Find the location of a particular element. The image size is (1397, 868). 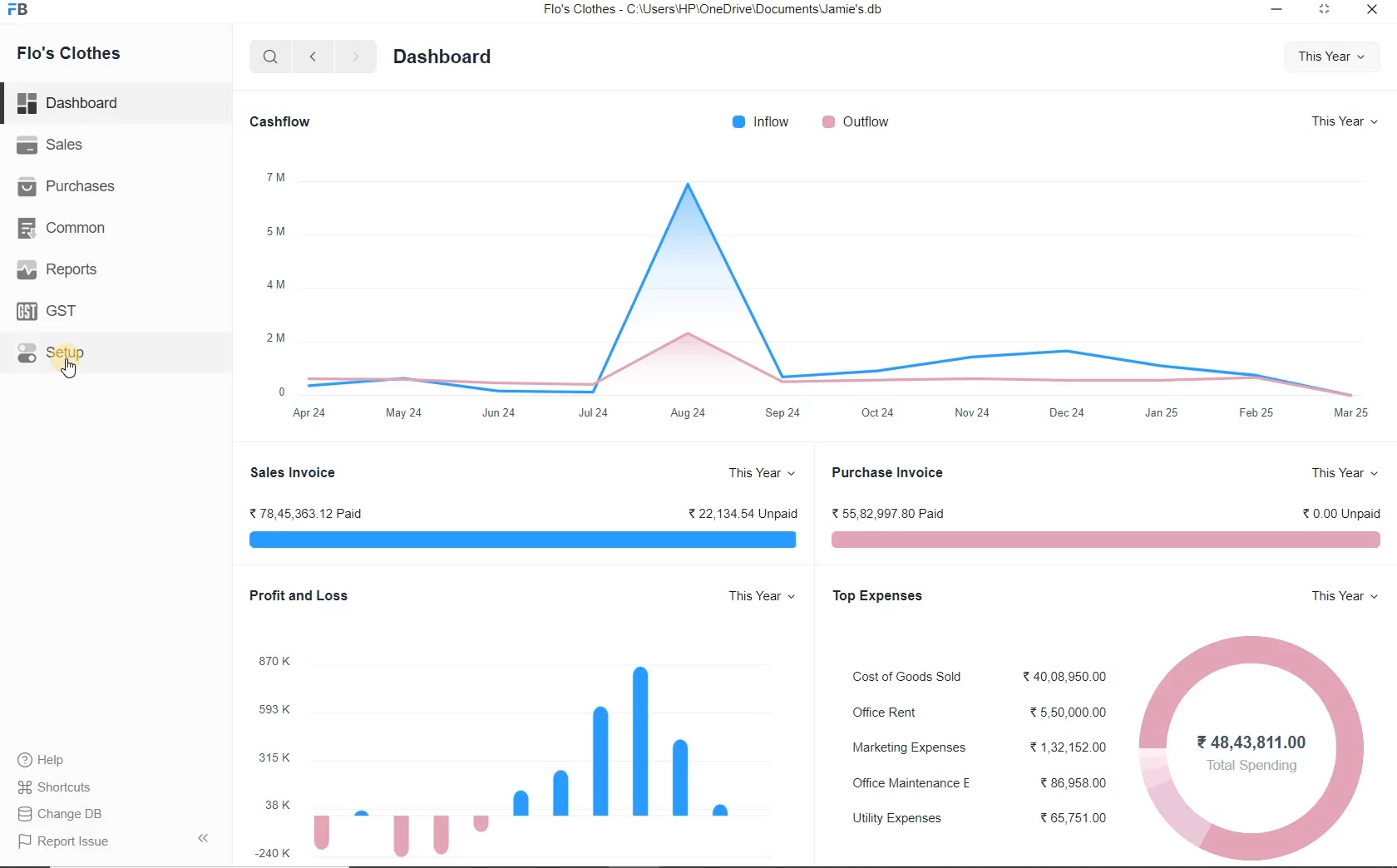

Blue Bar is located at coordinates (521, 539).